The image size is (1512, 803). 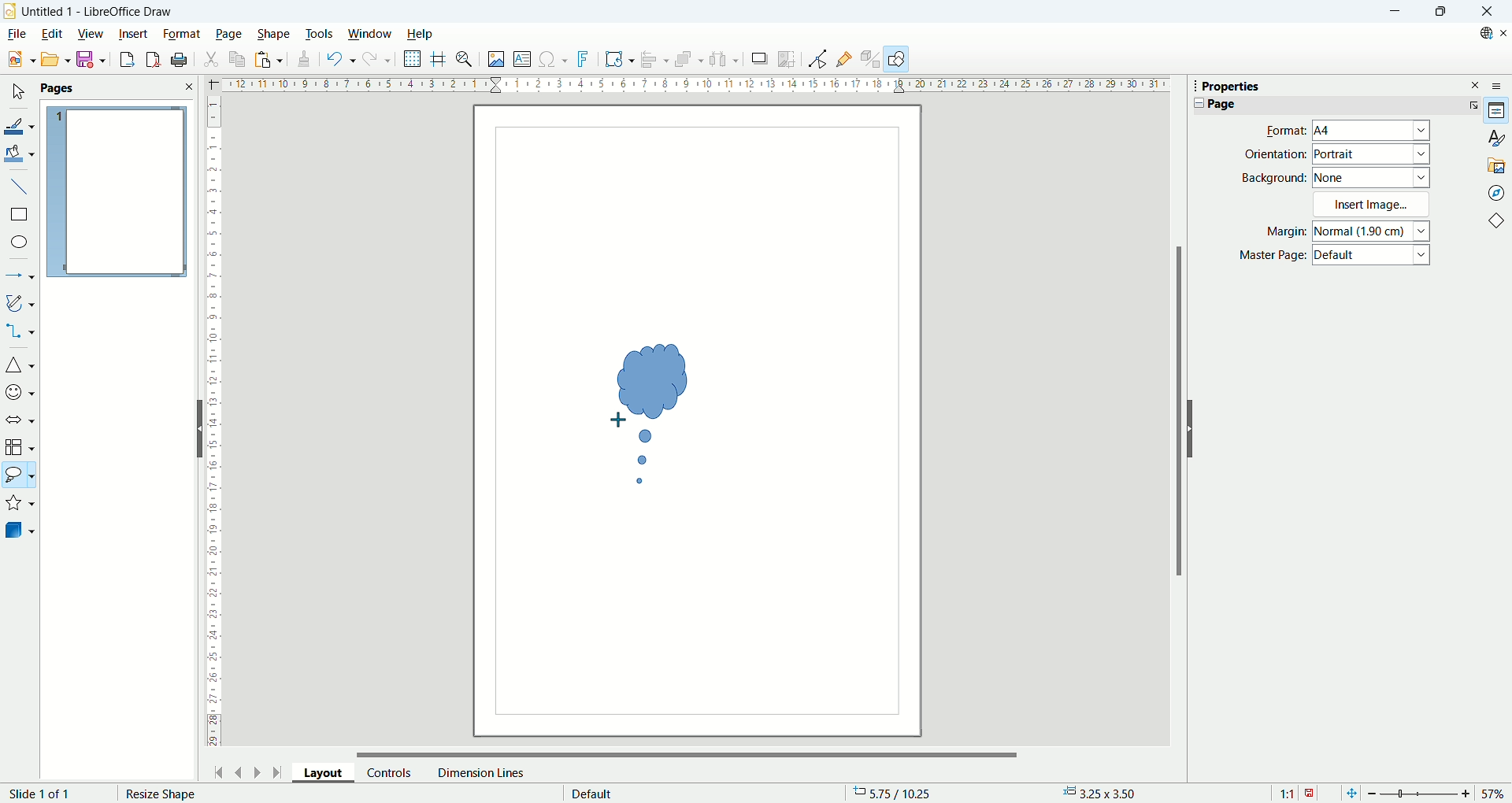 What do you see at coordinates (1176, 419) in the screenshot?
I see `Vertival scroll bar` at bounding box center [1176, 419].